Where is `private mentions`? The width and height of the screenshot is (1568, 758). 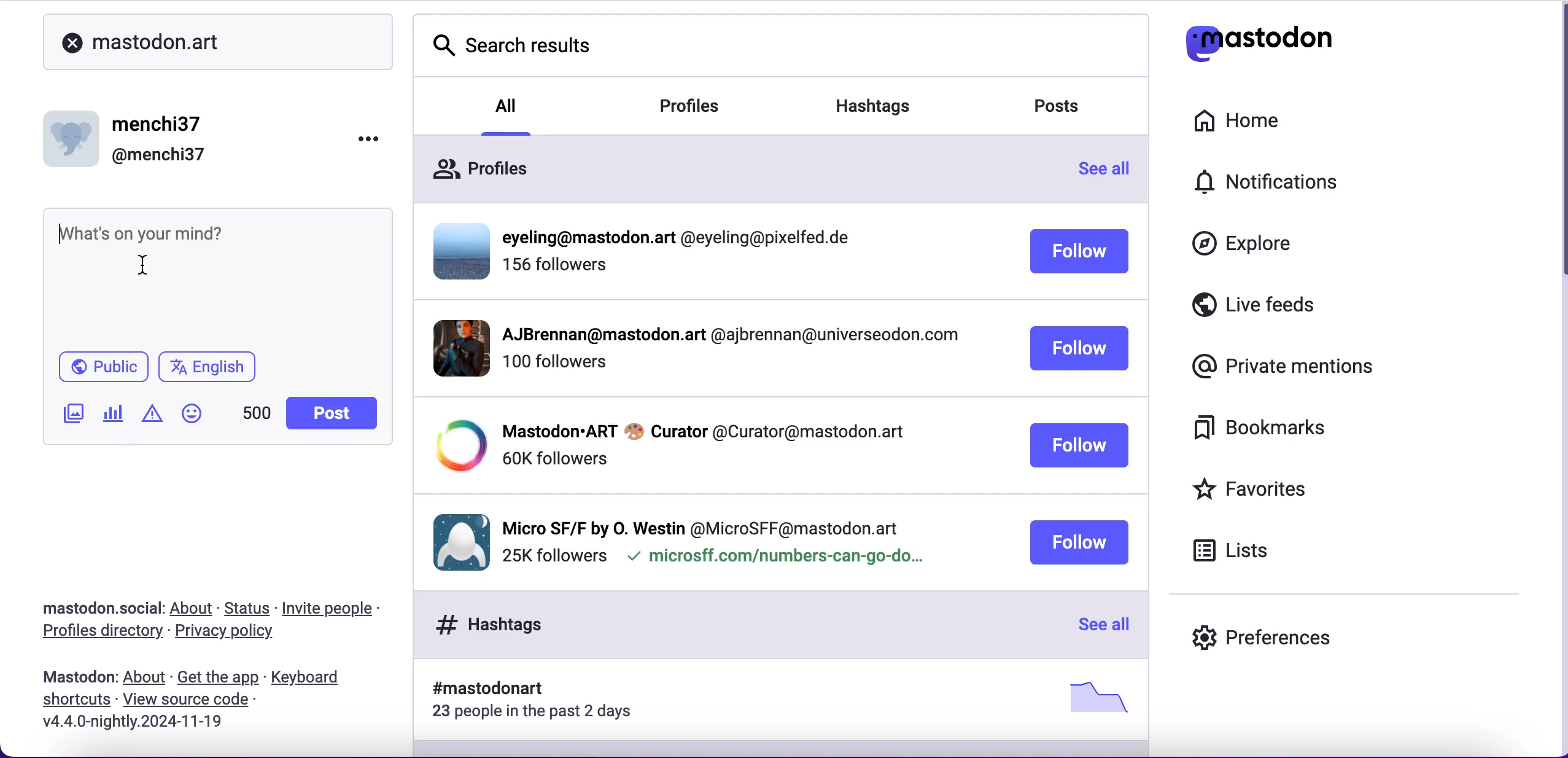
private mentions is located at coordinates (1278, 367).